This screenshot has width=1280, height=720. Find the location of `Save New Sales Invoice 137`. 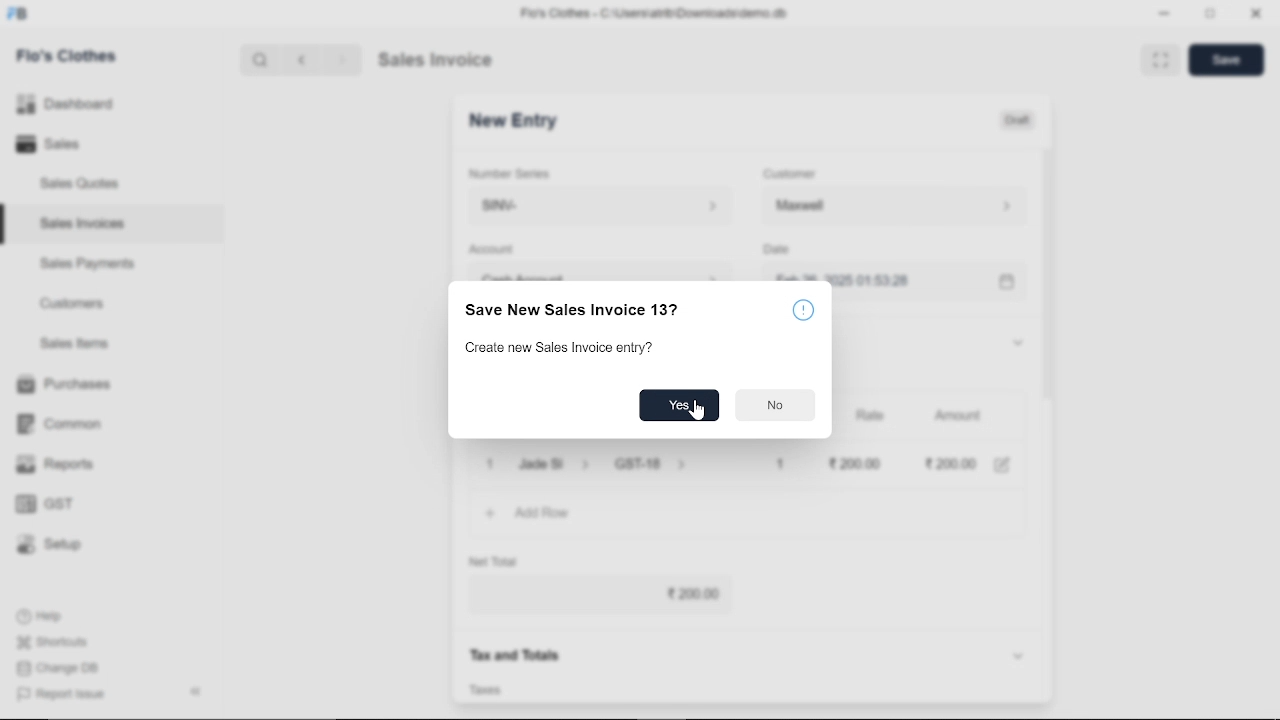

Save New Sales Invoice 137 is located at coordinates (572, 312).